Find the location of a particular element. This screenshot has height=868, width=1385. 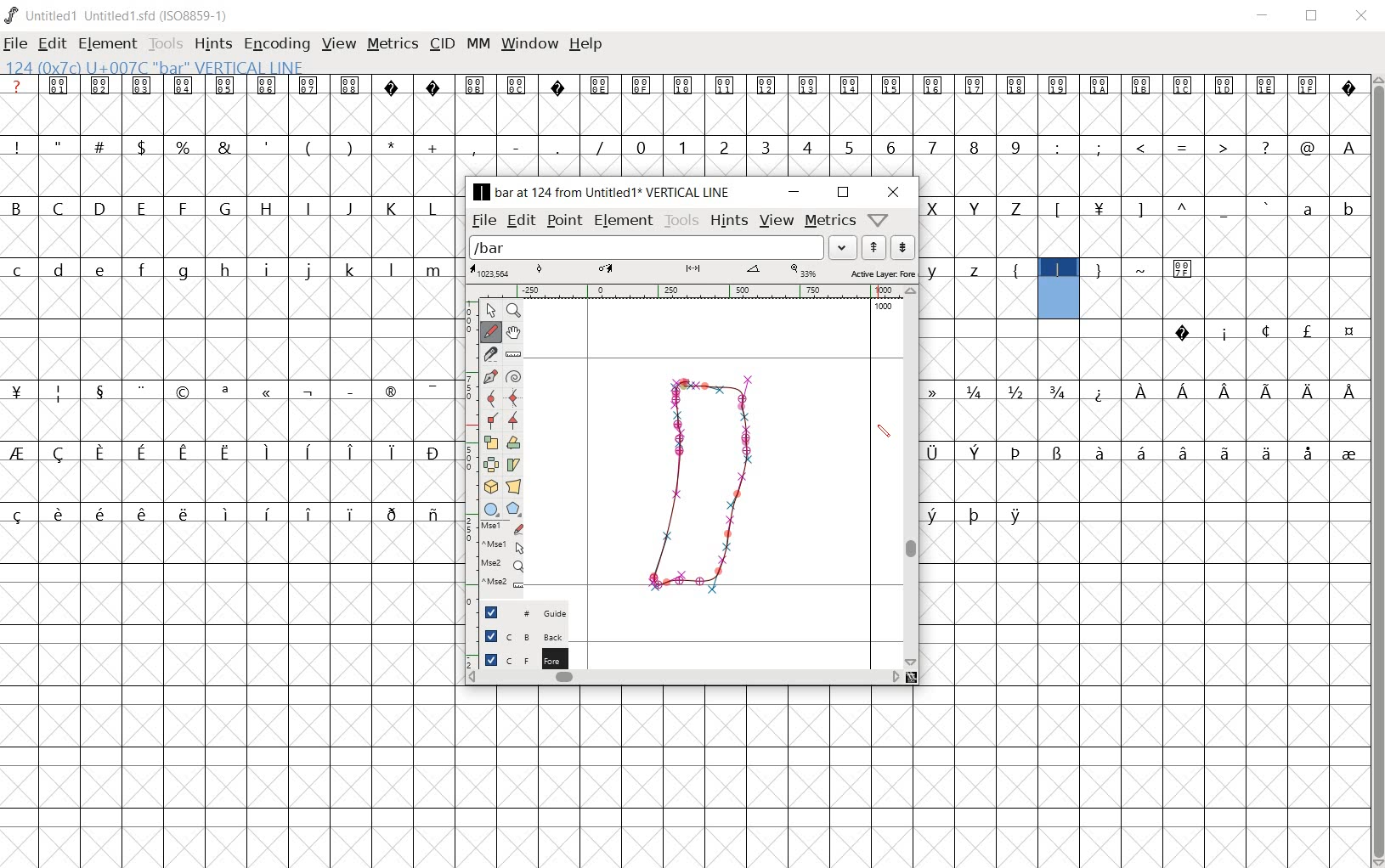

mse2 is located at coordinates (495, 566).